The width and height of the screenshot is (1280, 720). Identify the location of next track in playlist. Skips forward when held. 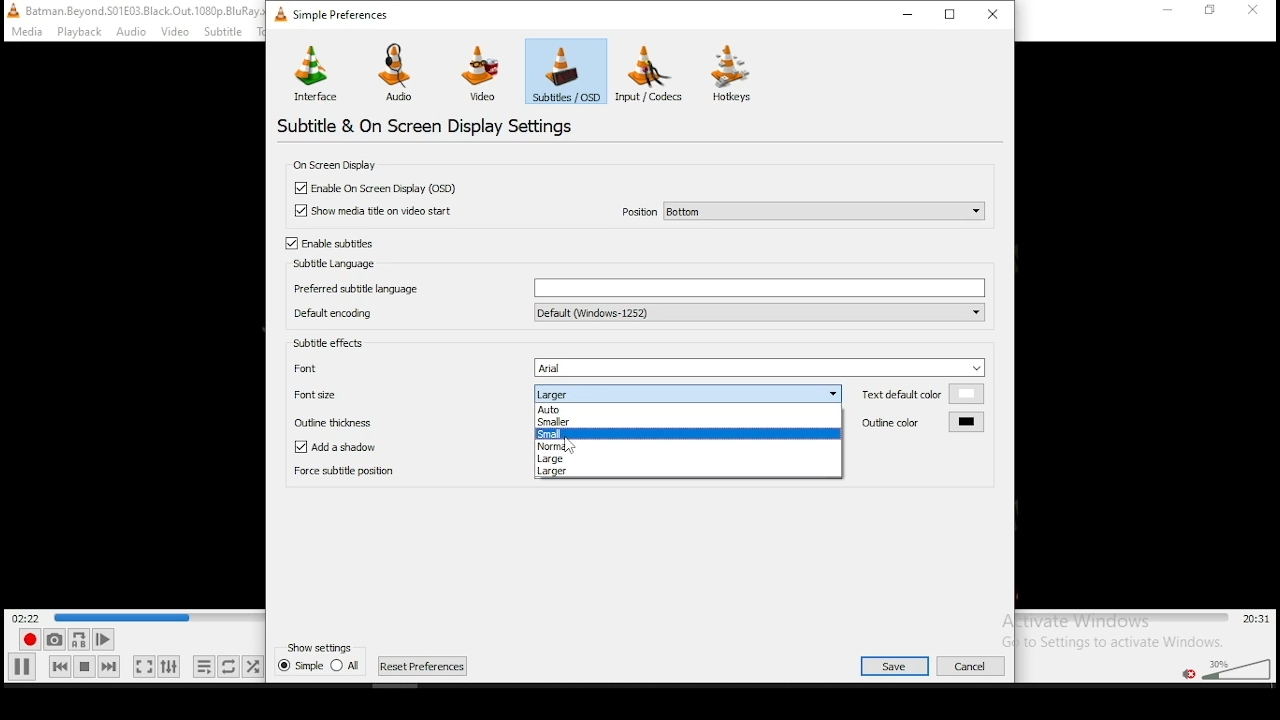
(108, 666).